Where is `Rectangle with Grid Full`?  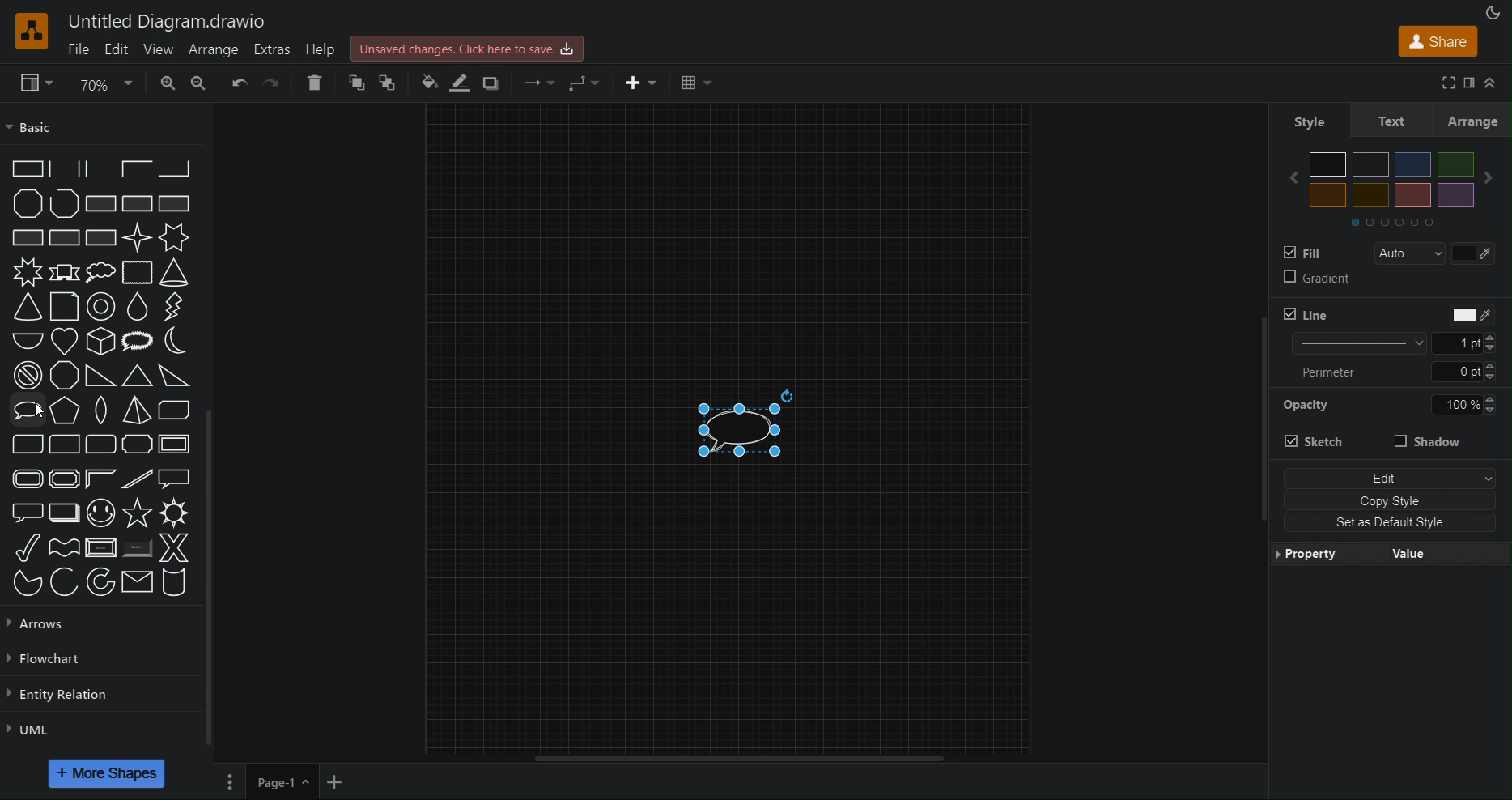 Rectangle with Grid Full is located at coordinates (64, 238).